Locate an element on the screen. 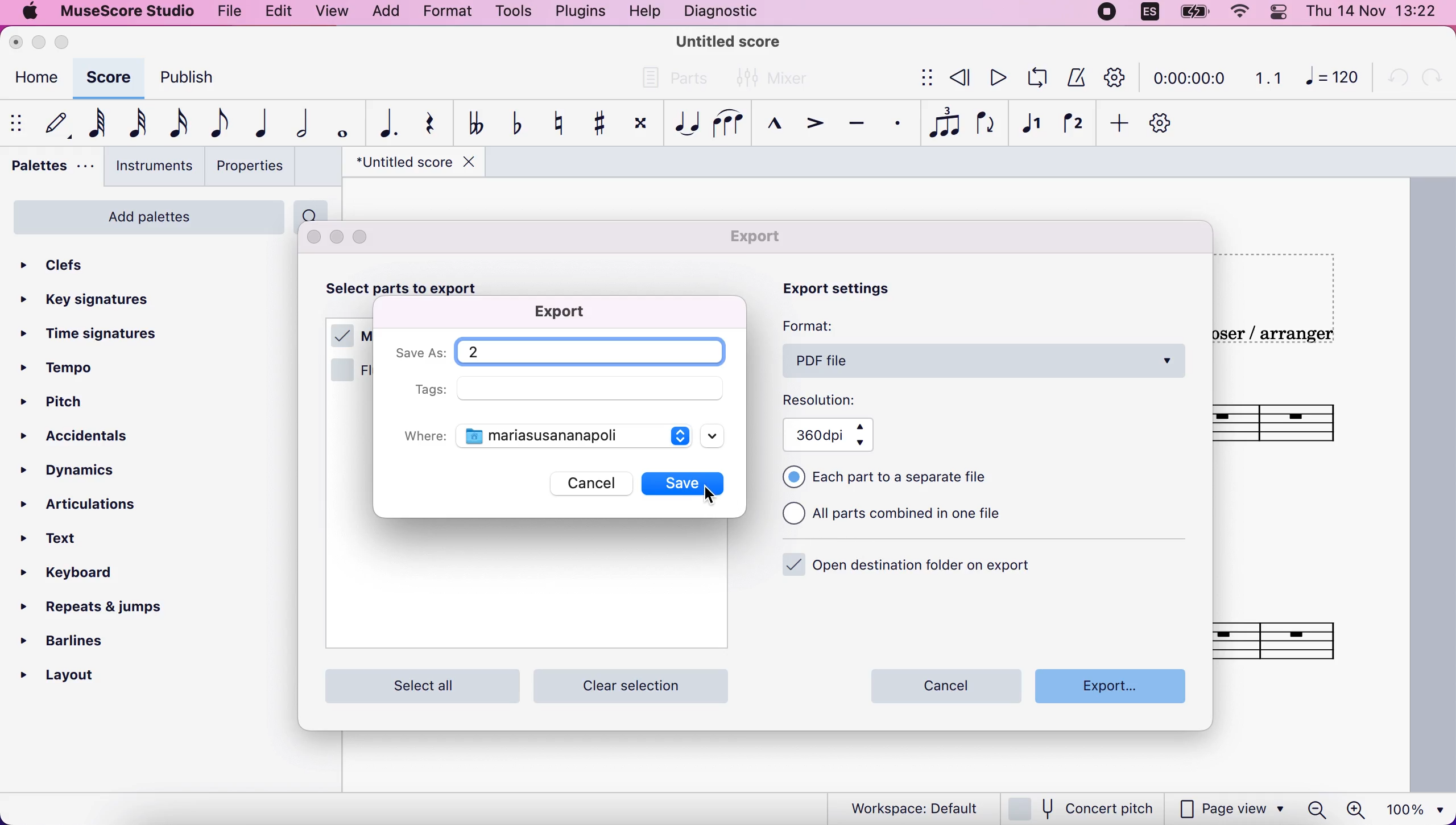 This screenshot has height=825, width=1456. accent is located at coordinates (811, 126).